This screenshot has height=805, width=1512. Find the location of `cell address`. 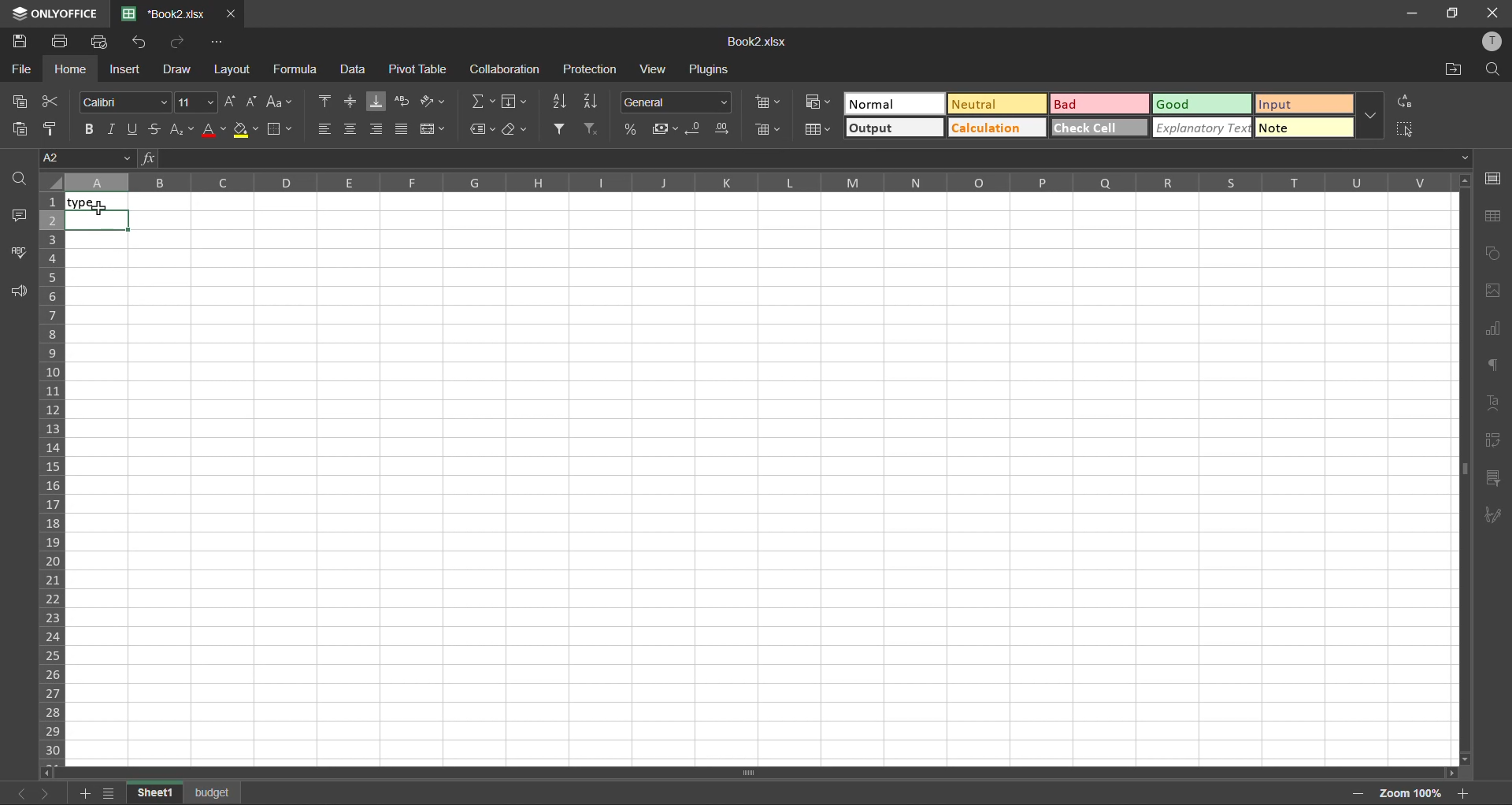

cell address is located at coordinates (86, 157).